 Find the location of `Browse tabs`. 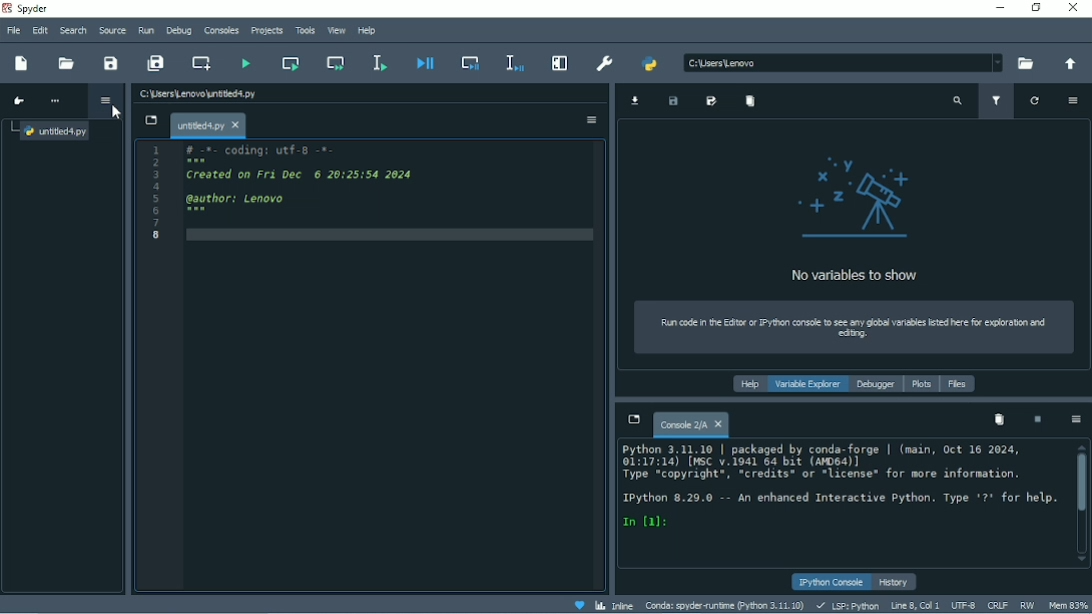

Browse tabs is located at coordinates (151, 121).